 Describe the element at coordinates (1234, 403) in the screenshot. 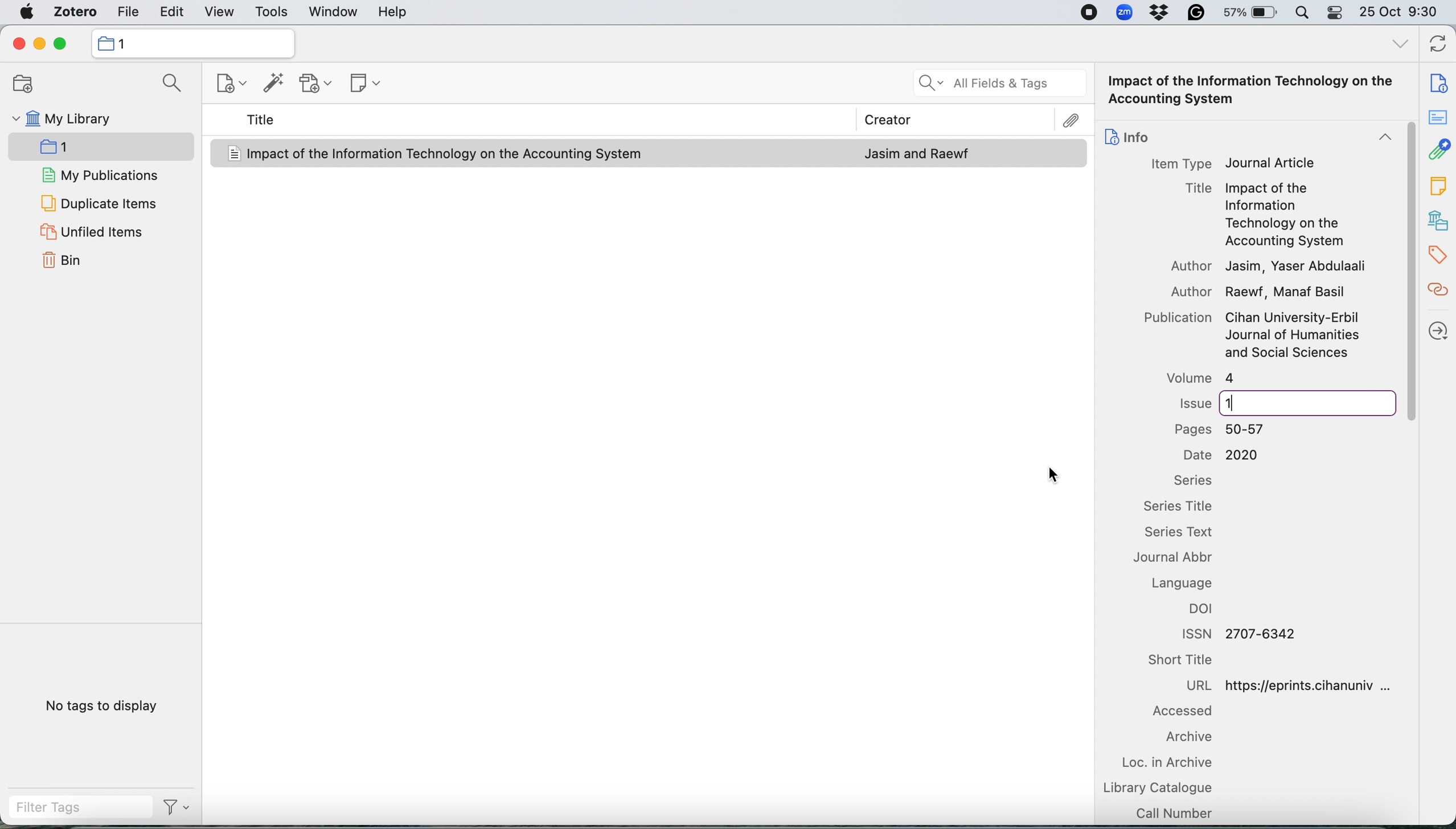

I see `edited metadata` at that location.